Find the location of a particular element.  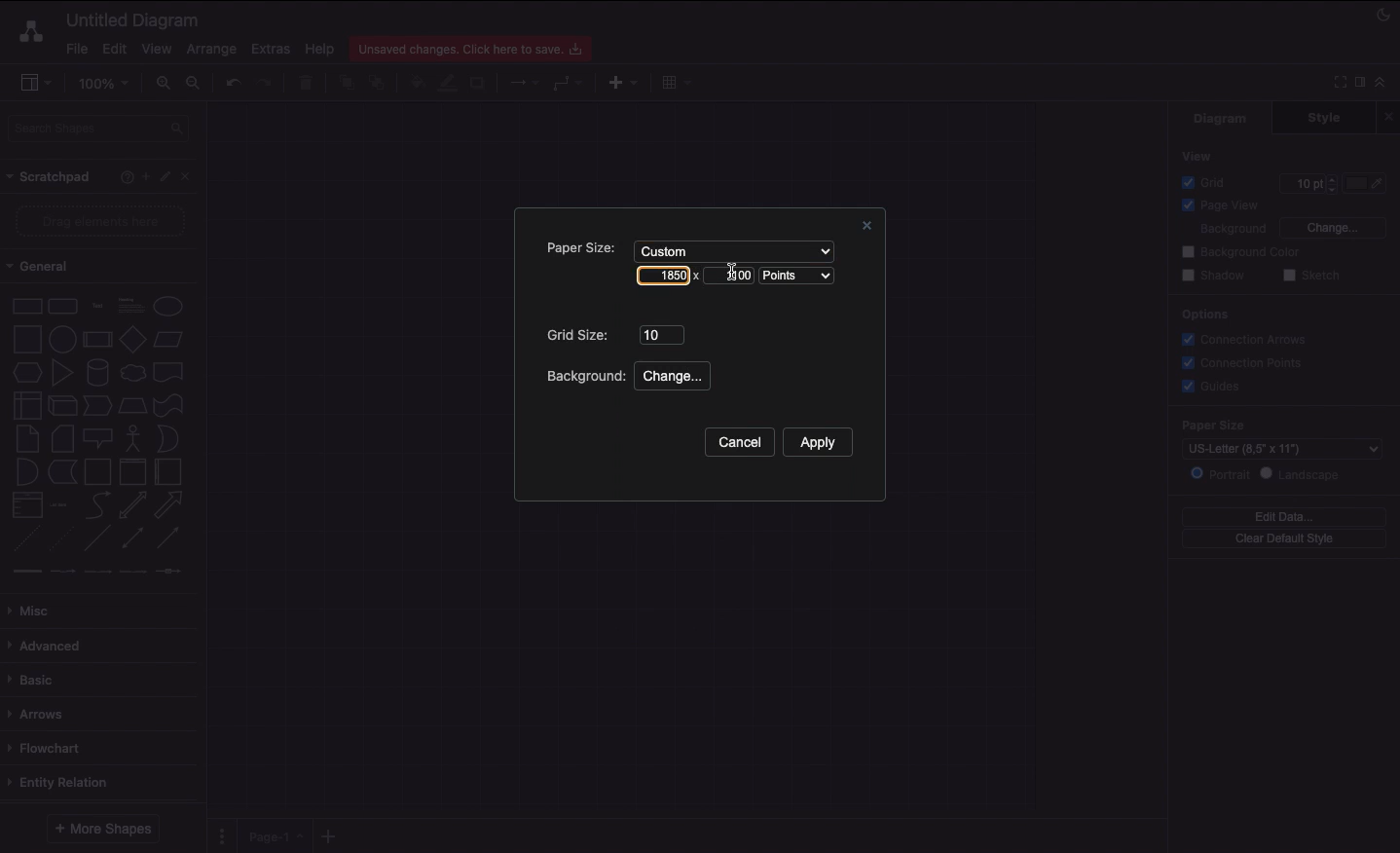

Help is located at coordinates (123, 176).